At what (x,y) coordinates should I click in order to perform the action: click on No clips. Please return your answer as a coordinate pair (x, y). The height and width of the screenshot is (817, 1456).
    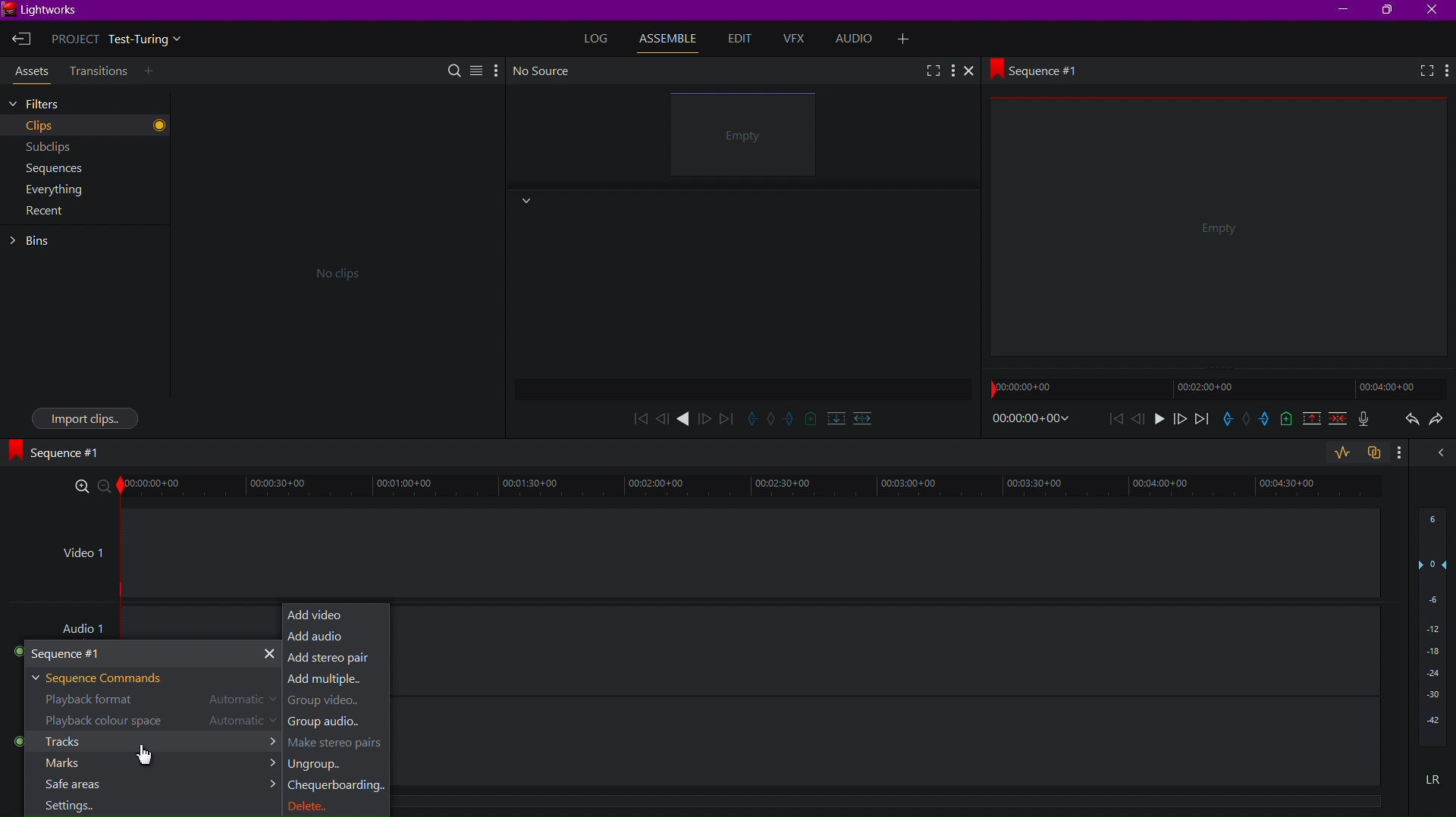
    Looking at the image, I should click on (333, 271).